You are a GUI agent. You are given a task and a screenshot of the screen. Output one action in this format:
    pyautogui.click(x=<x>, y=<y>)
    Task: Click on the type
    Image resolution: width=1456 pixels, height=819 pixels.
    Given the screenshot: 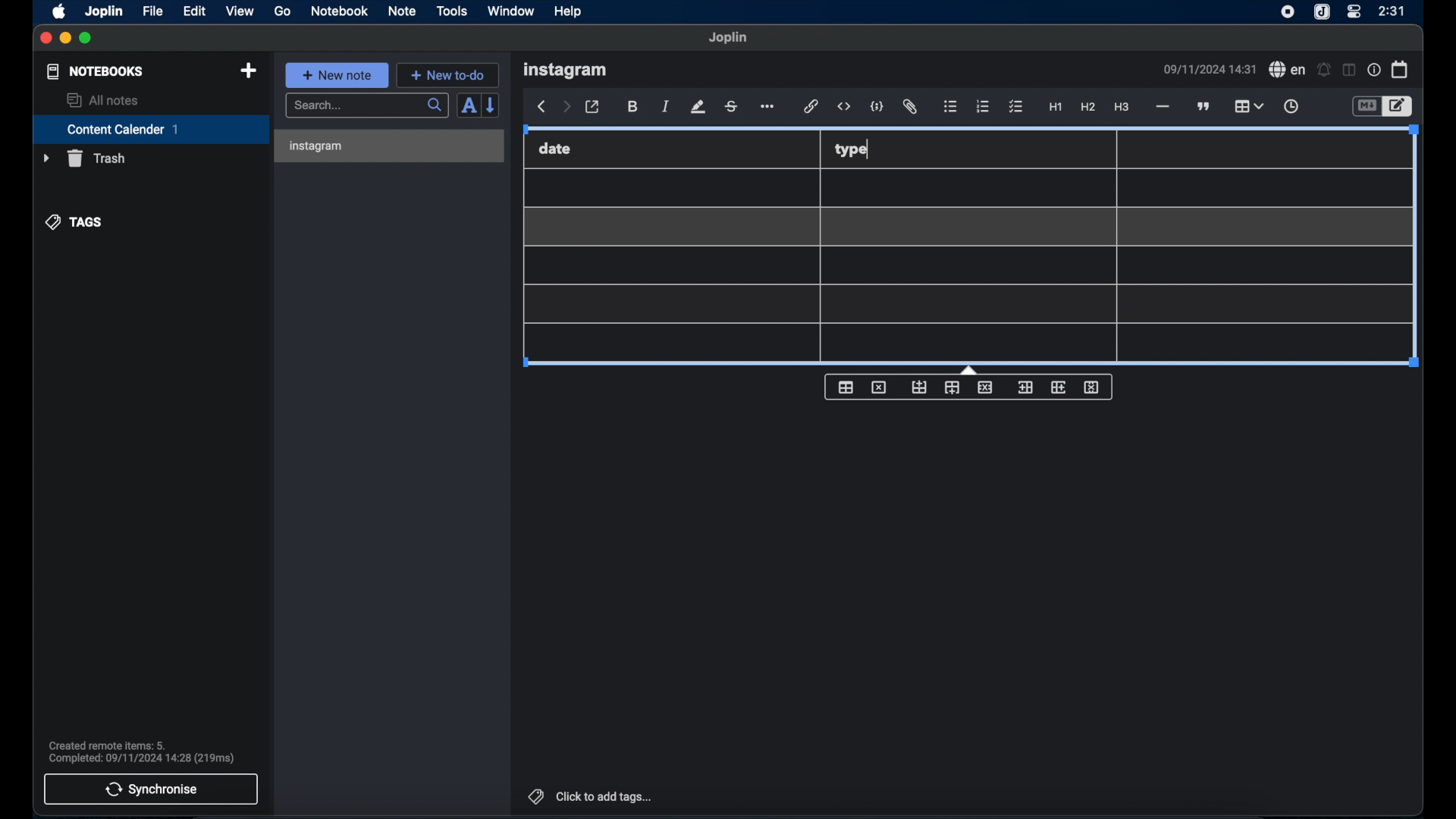 What is the action you would take?
    pyautogui.click(x=852, y=149)
    